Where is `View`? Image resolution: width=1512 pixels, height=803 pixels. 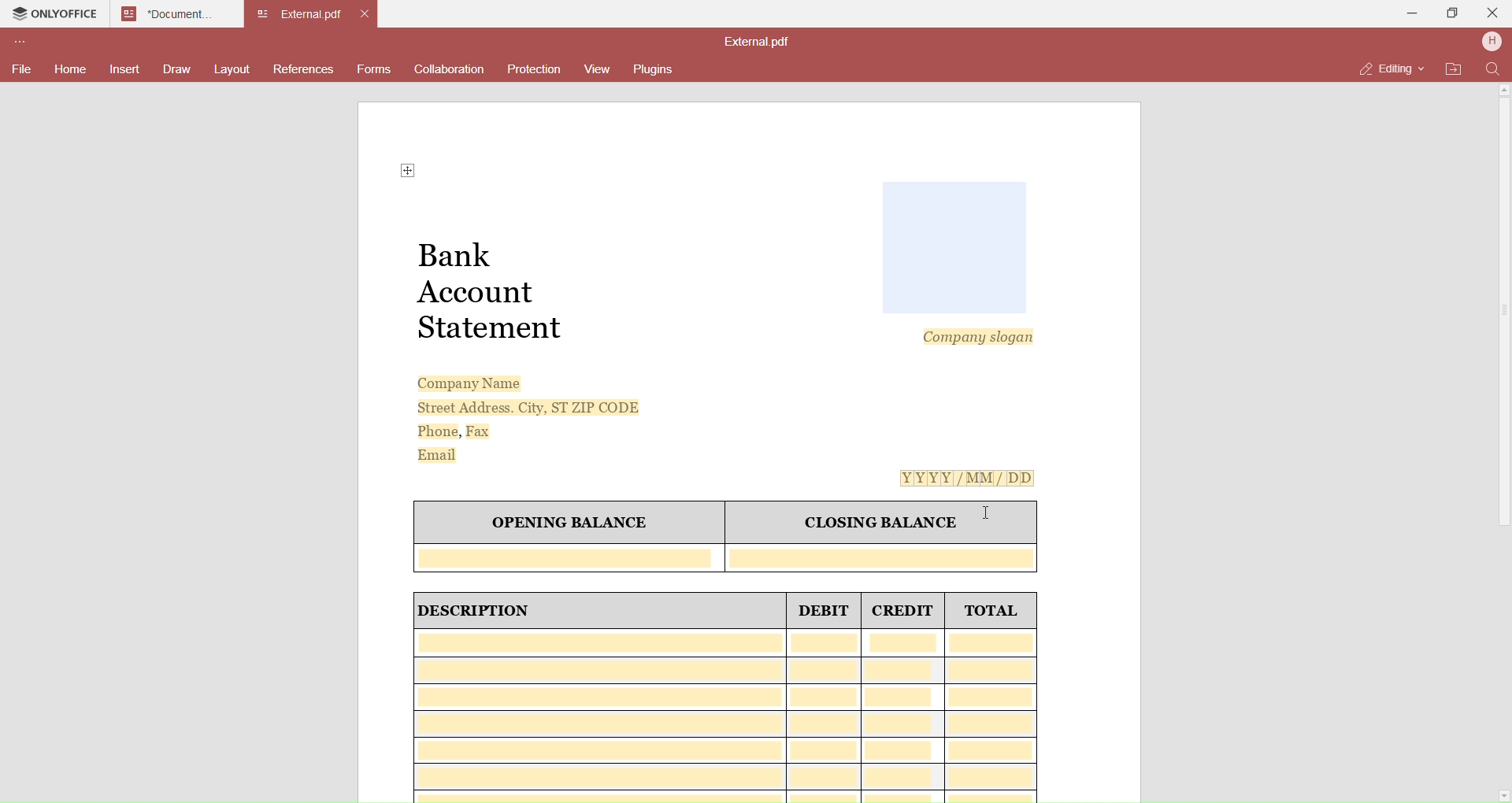 View is located at coordinates (595, 69).